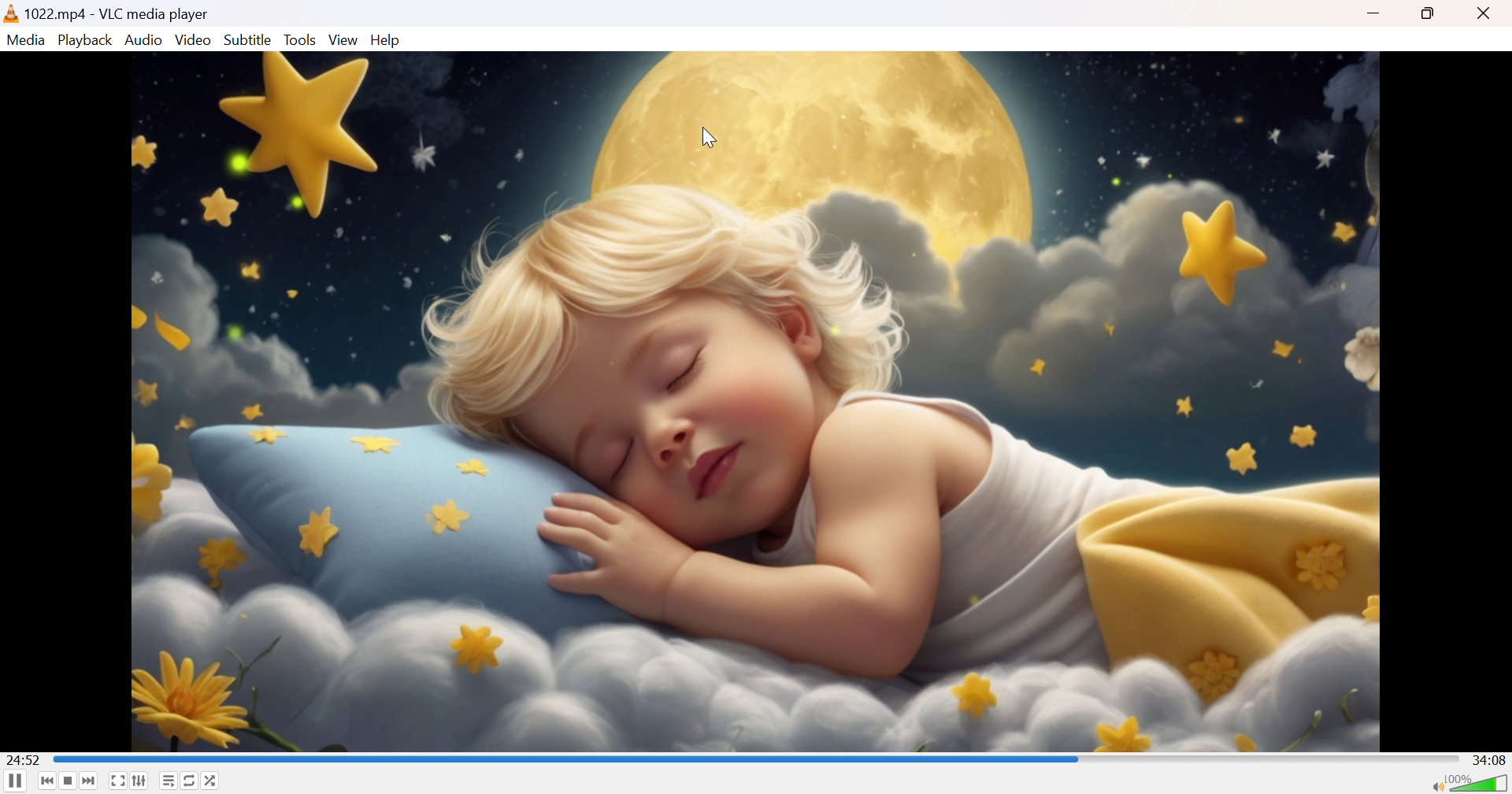 This screenshot has width=1512, height=794. Describe the element at coordinates (14, 783) in the screenshot. I see `Pause the playback` at that location.